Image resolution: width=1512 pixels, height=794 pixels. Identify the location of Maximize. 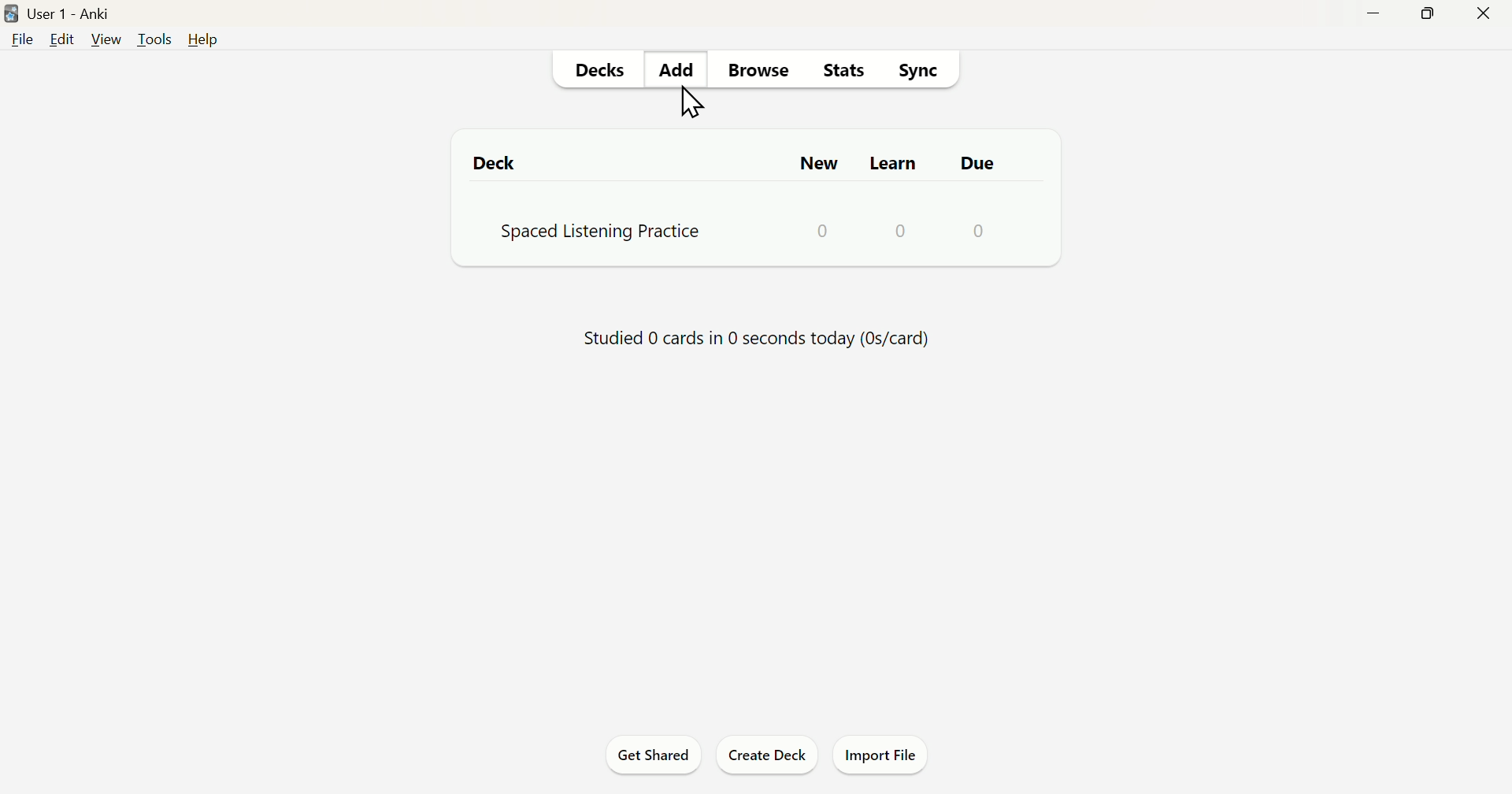
(1432, 15).